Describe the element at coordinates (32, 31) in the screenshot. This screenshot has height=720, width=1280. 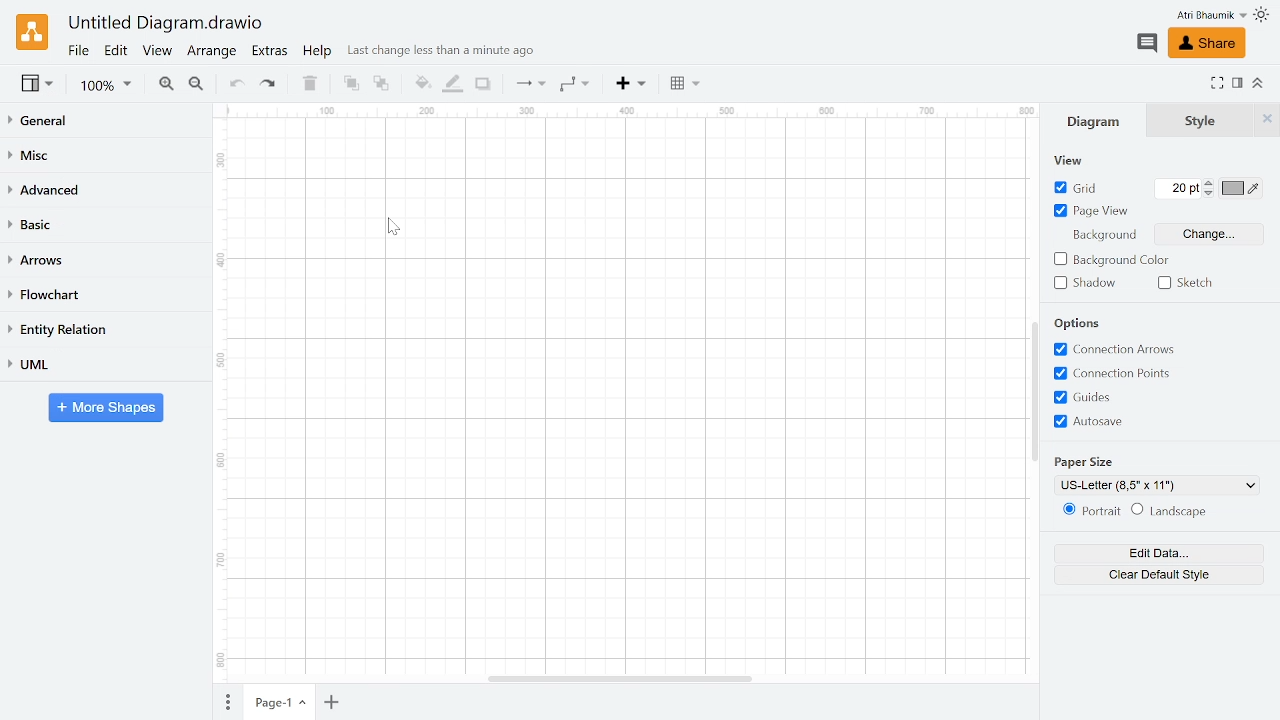
I see `Draw.io logo` at that location.